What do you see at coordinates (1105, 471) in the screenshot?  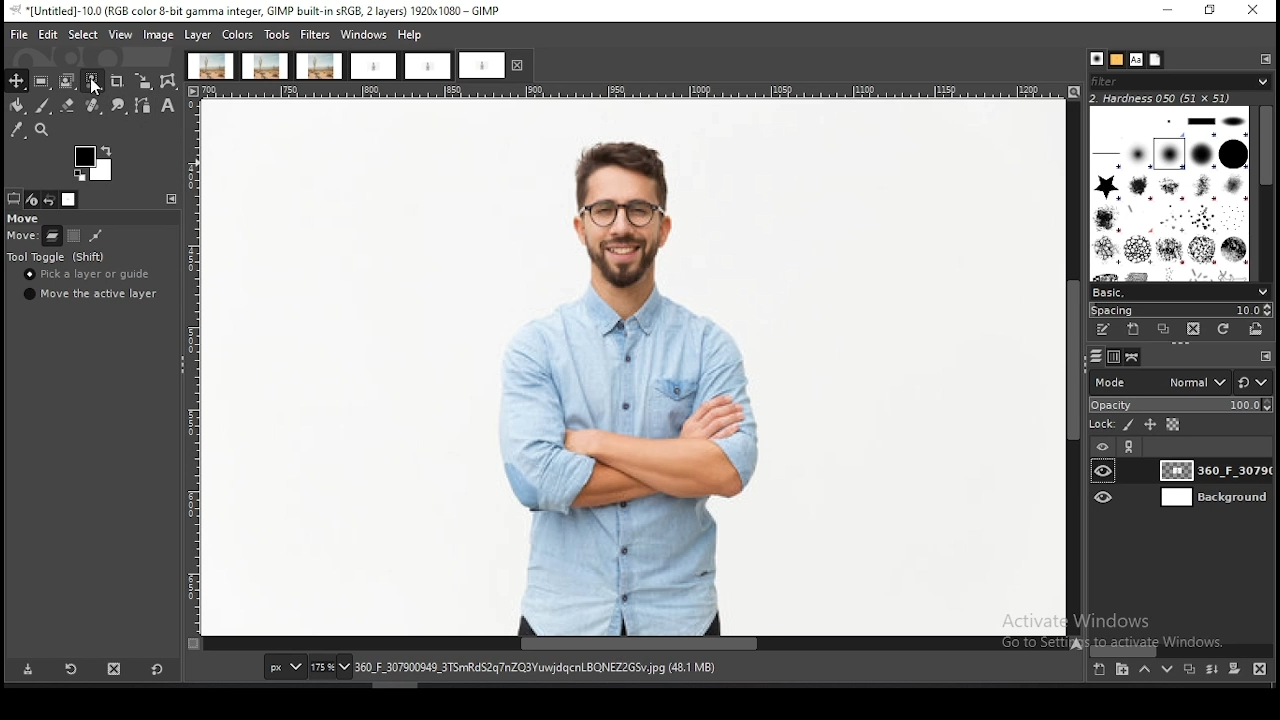 I see `layer visibility on/off` at bounding box center [1105, 471].